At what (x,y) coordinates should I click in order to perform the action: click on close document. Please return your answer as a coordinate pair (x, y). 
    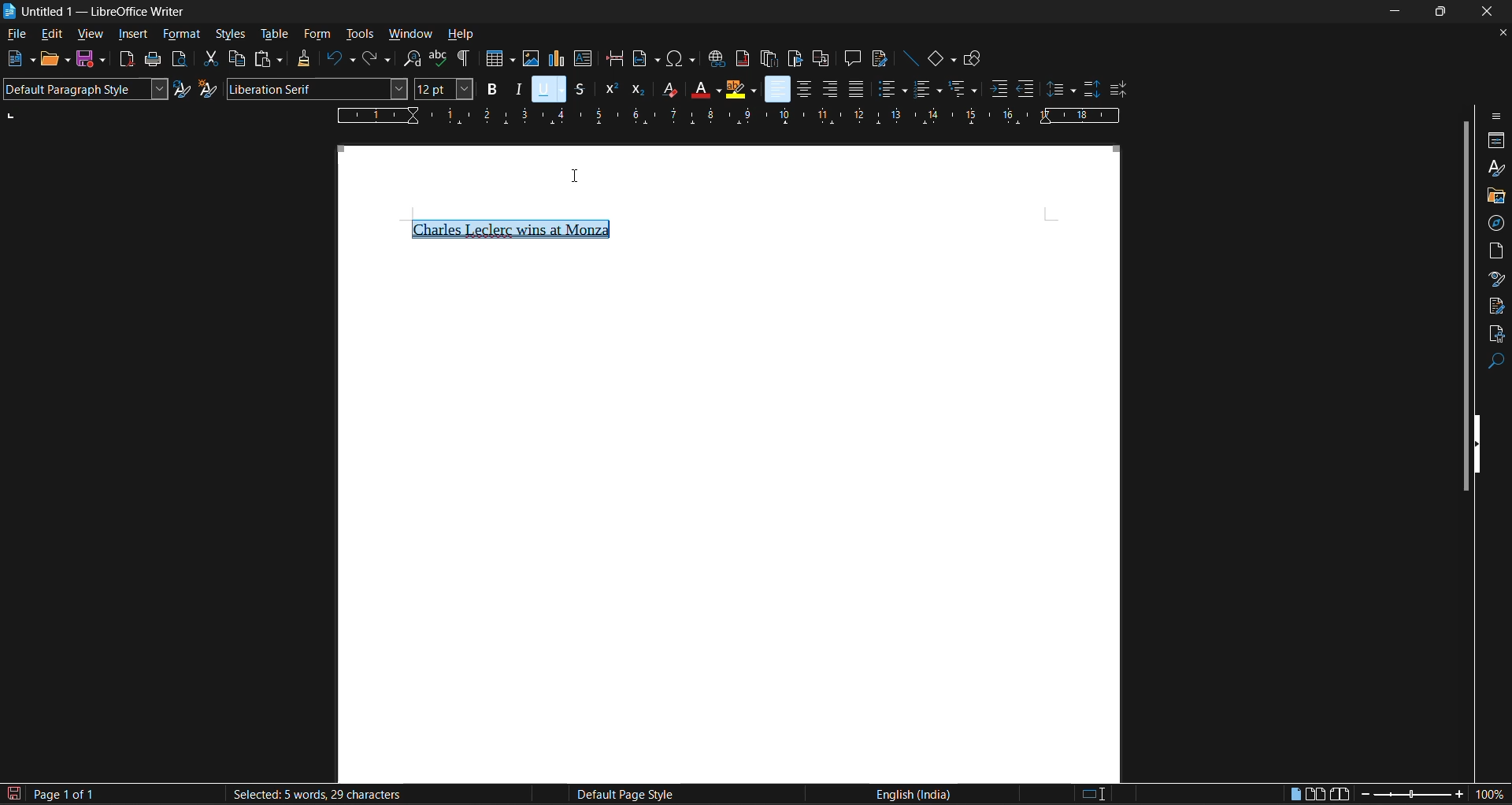
    Looking at the image, I should click on (1498, 33).